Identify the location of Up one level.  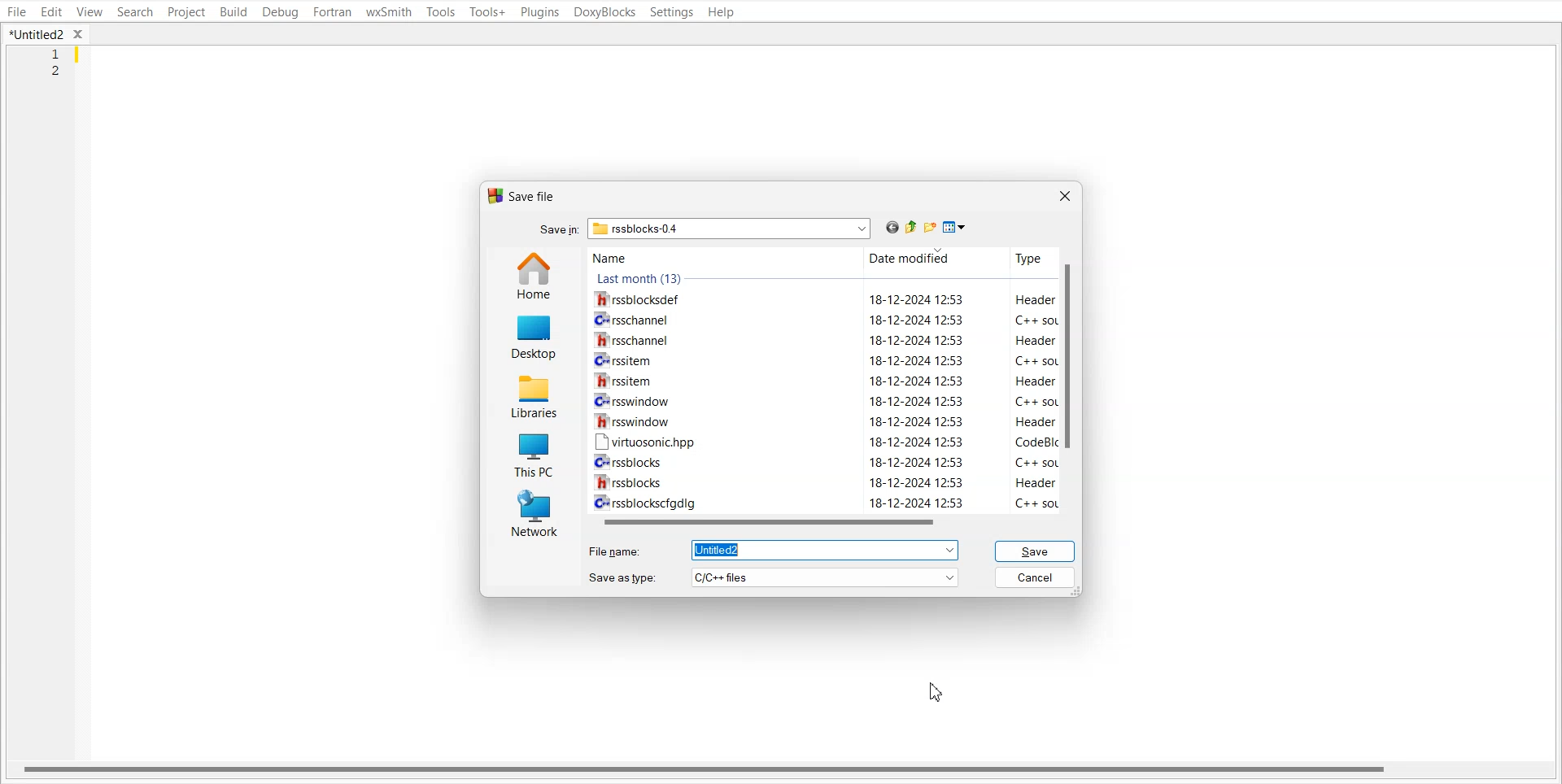
(912, 227).